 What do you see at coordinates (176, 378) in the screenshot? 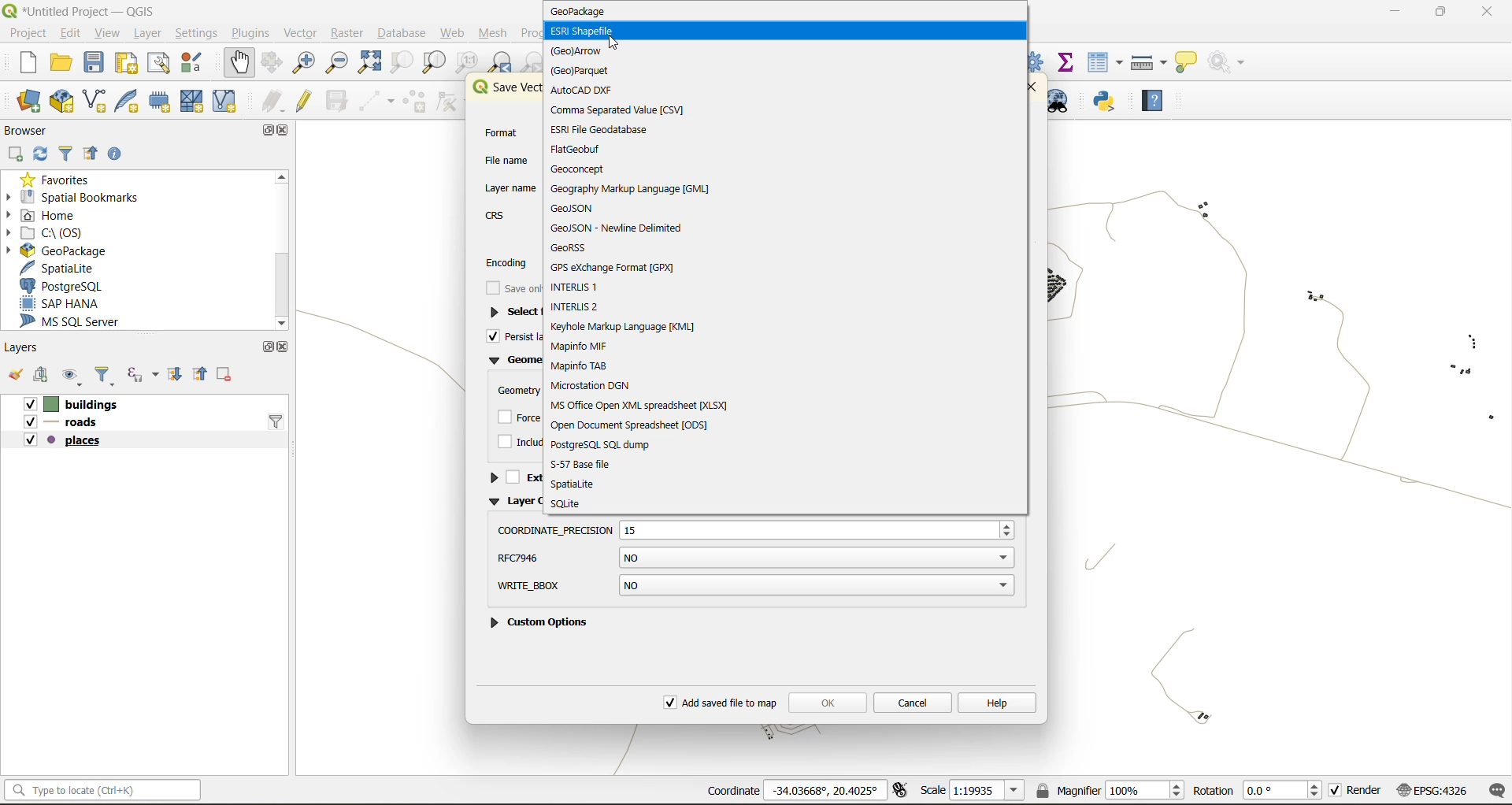
I see `expand all` at bounding box center [176, 378].